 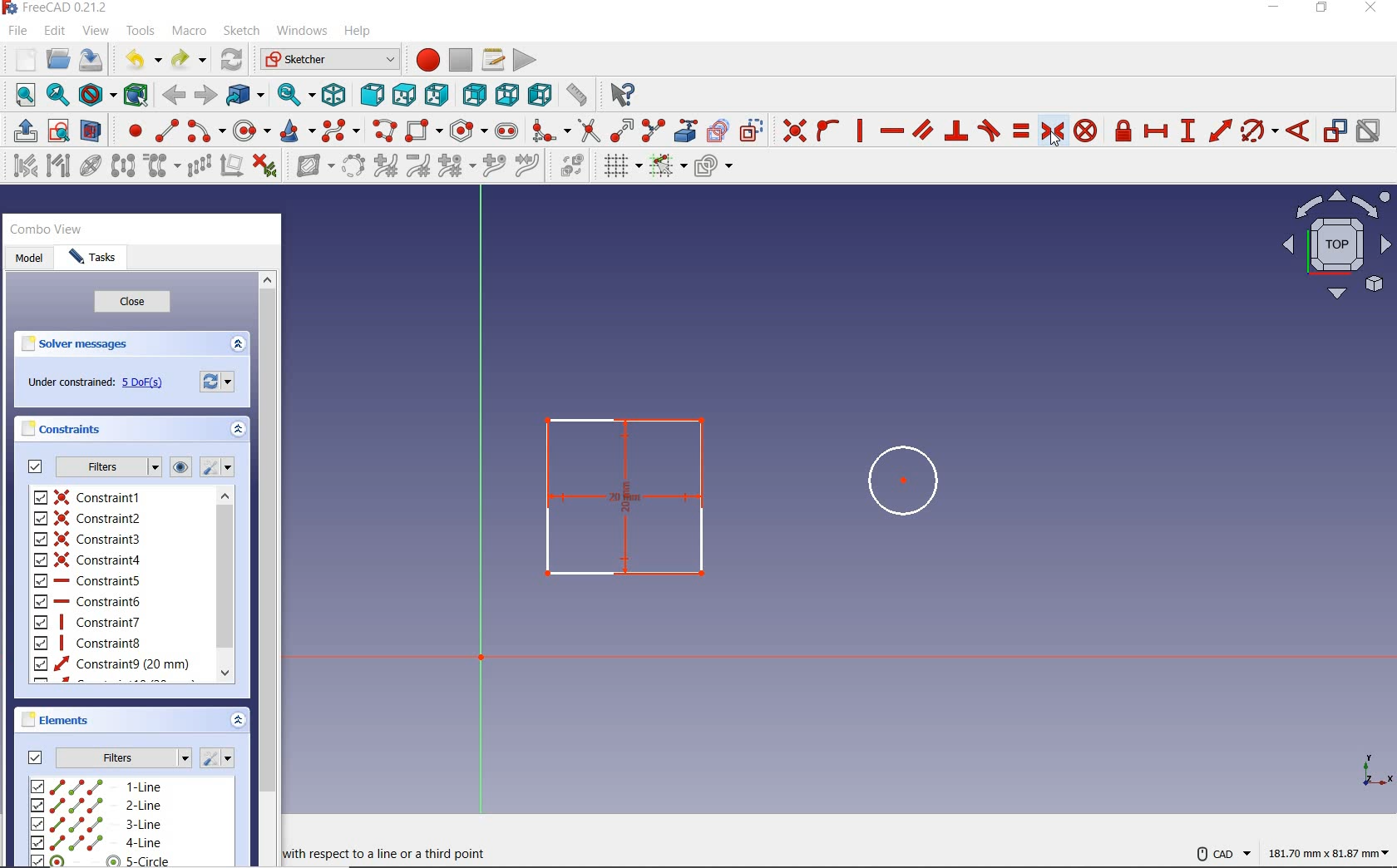 What do you see at coordinates (619, 167) in the screenshot?
I see `toggle grid` at bounding box center [619, 167].